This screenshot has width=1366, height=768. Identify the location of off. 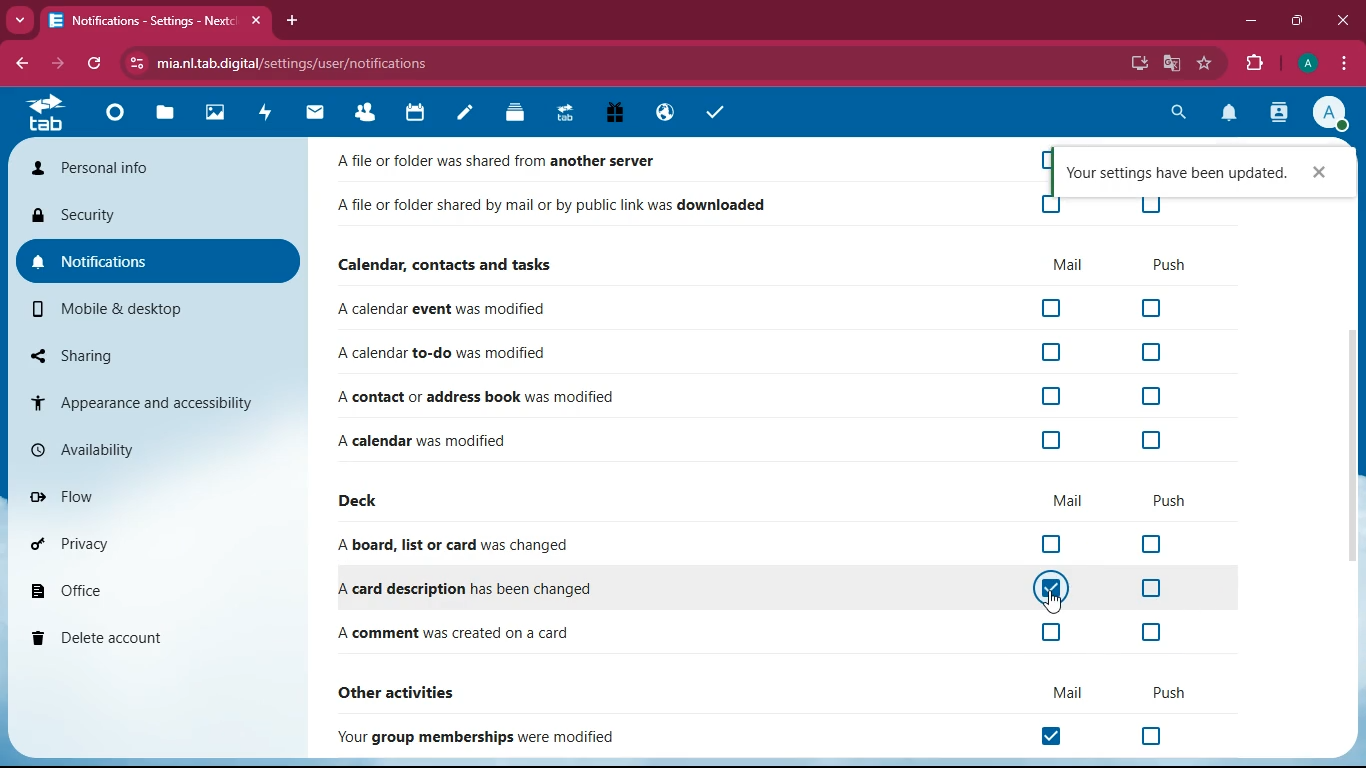
(1039, 160).